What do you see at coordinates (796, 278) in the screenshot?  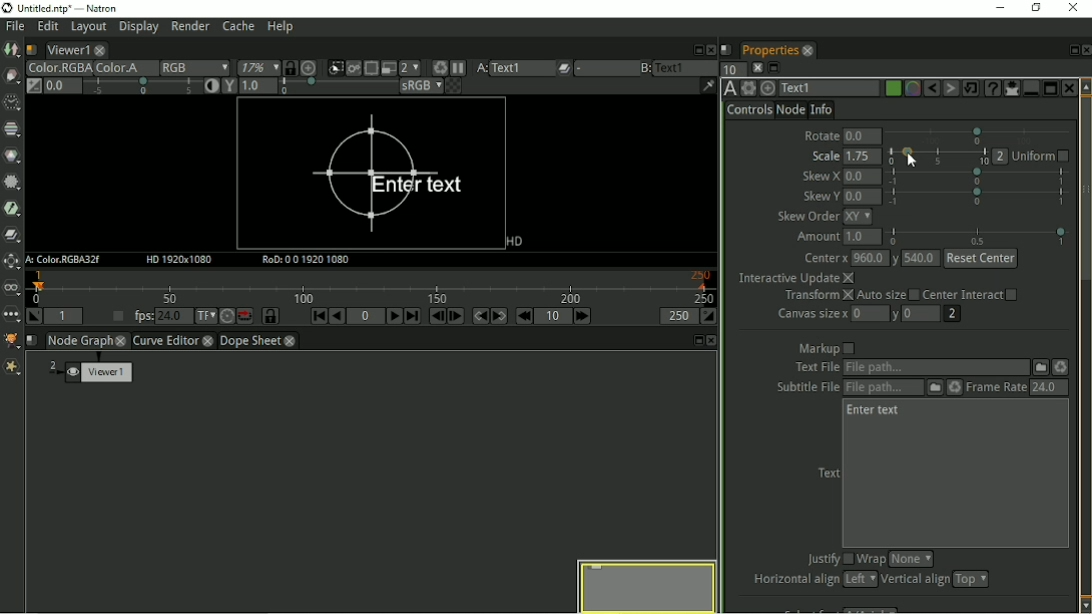 I see `Interactive update` at bounding box center [796, 278].